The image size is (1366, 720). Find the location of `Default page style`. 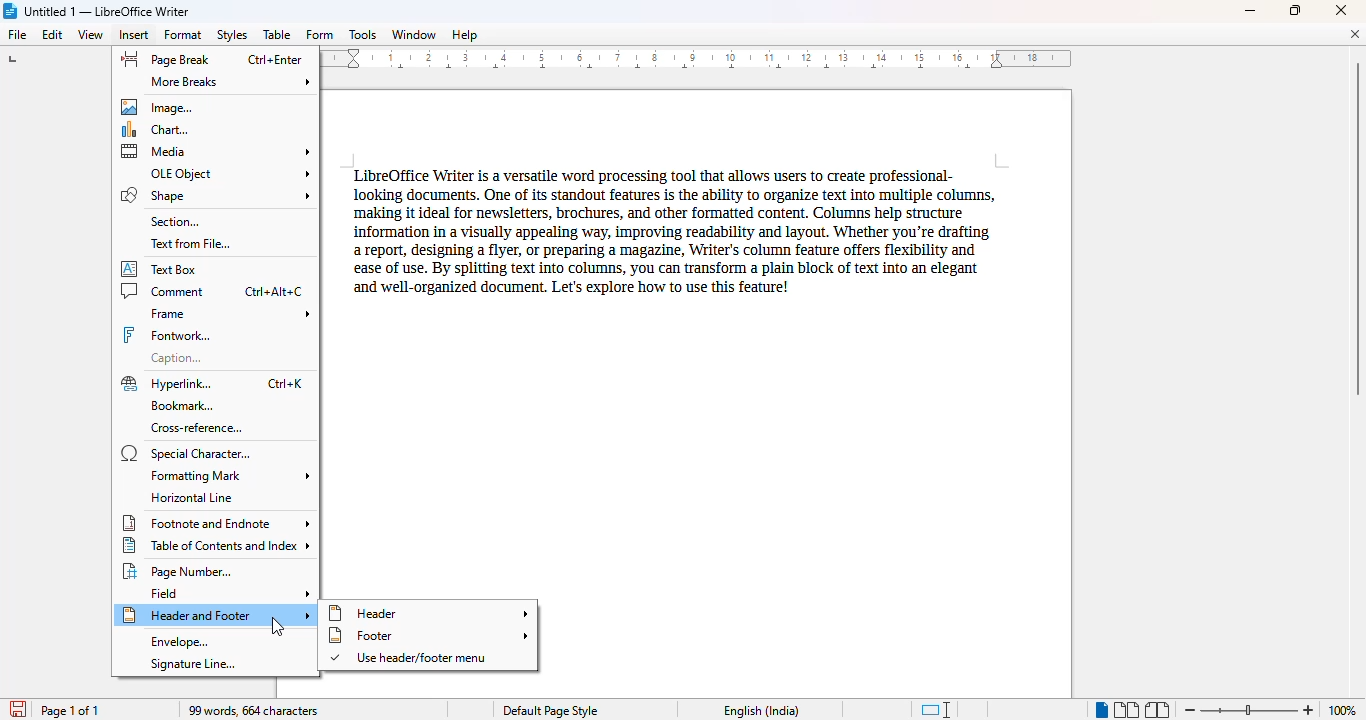

Default page style is located at coordinates (550, 711).